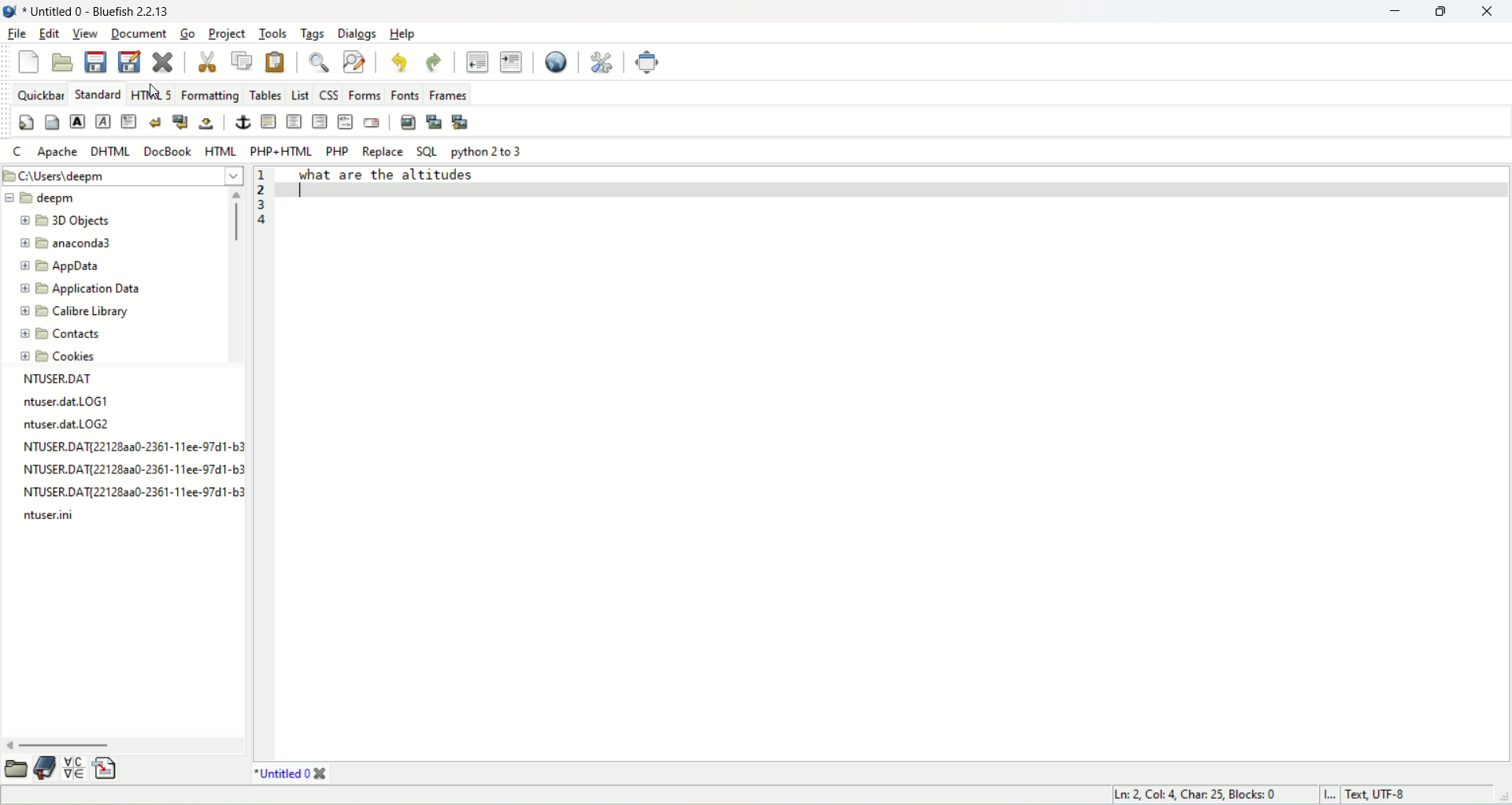 Image resolution: width=1512 pixels, height=805 pixels. What do you see at coordinates (45, 767) in the screenshot?
I see `documentation` at bounding box center [45, 767].